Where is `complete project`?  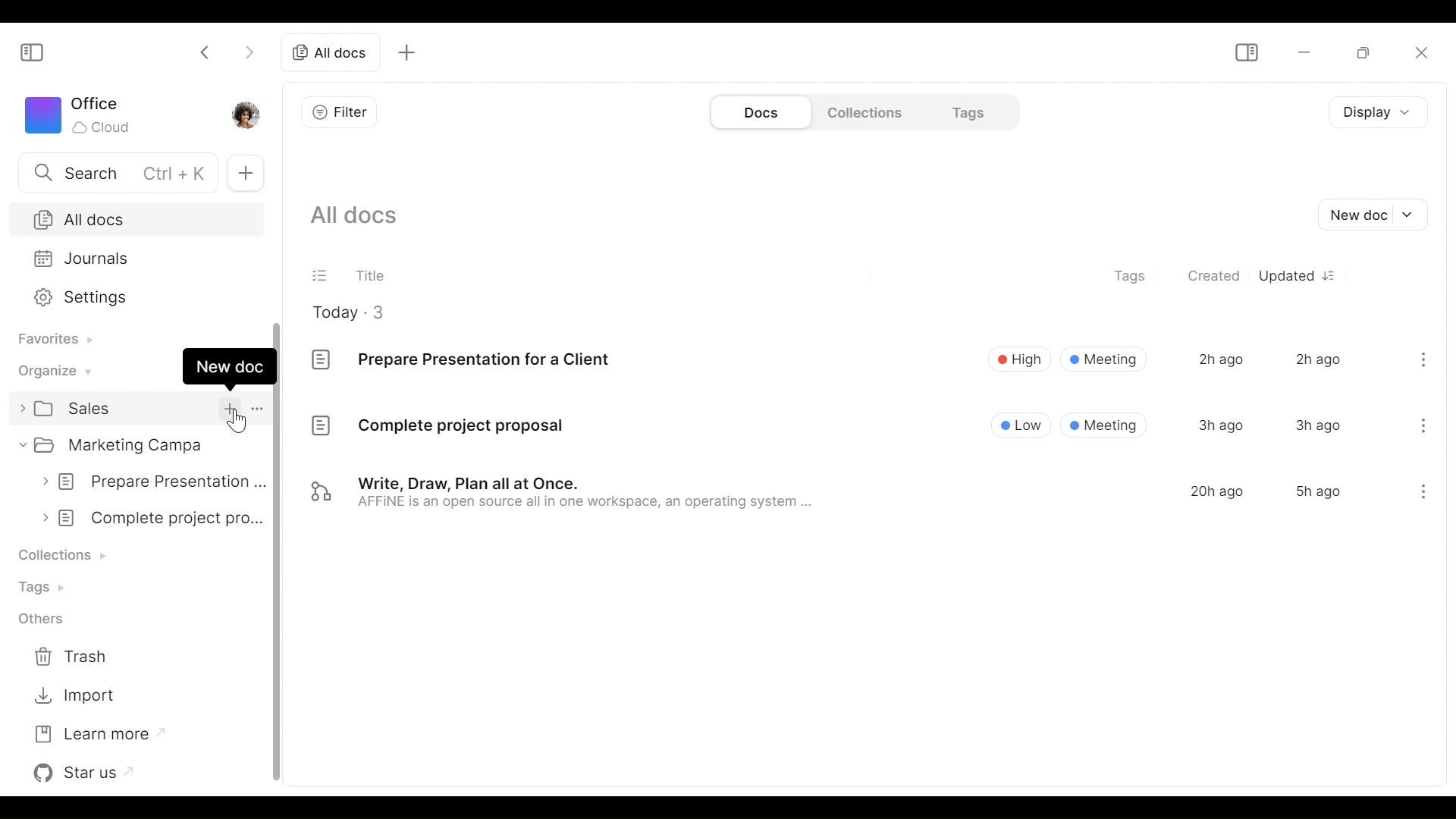 complete project is located at coordinates (156, 517).